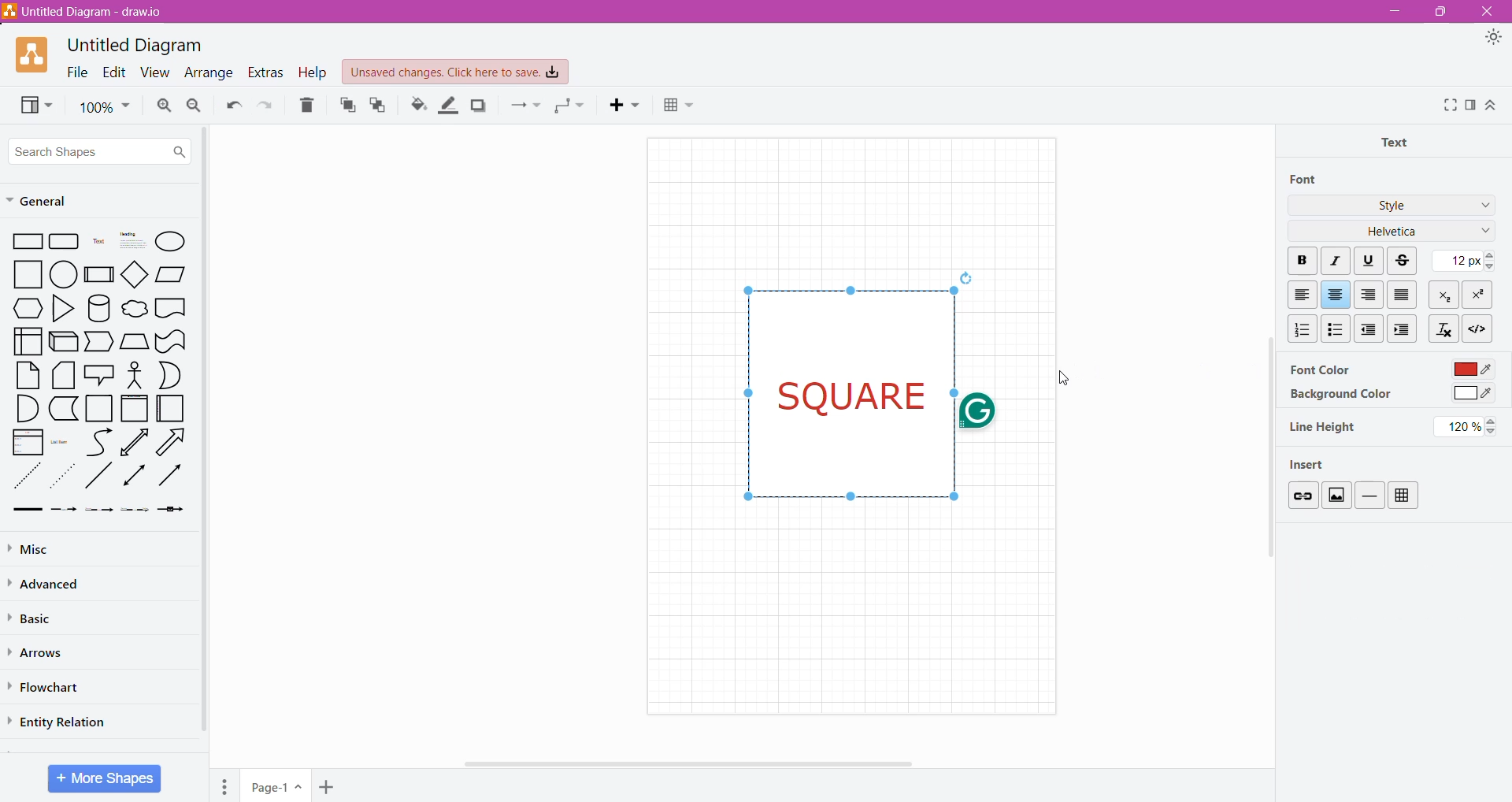  What do you see at coordinates (206, 433) in the screenshot?
I see `Vertical Scroll Bar` at bounding box center [206, 433].